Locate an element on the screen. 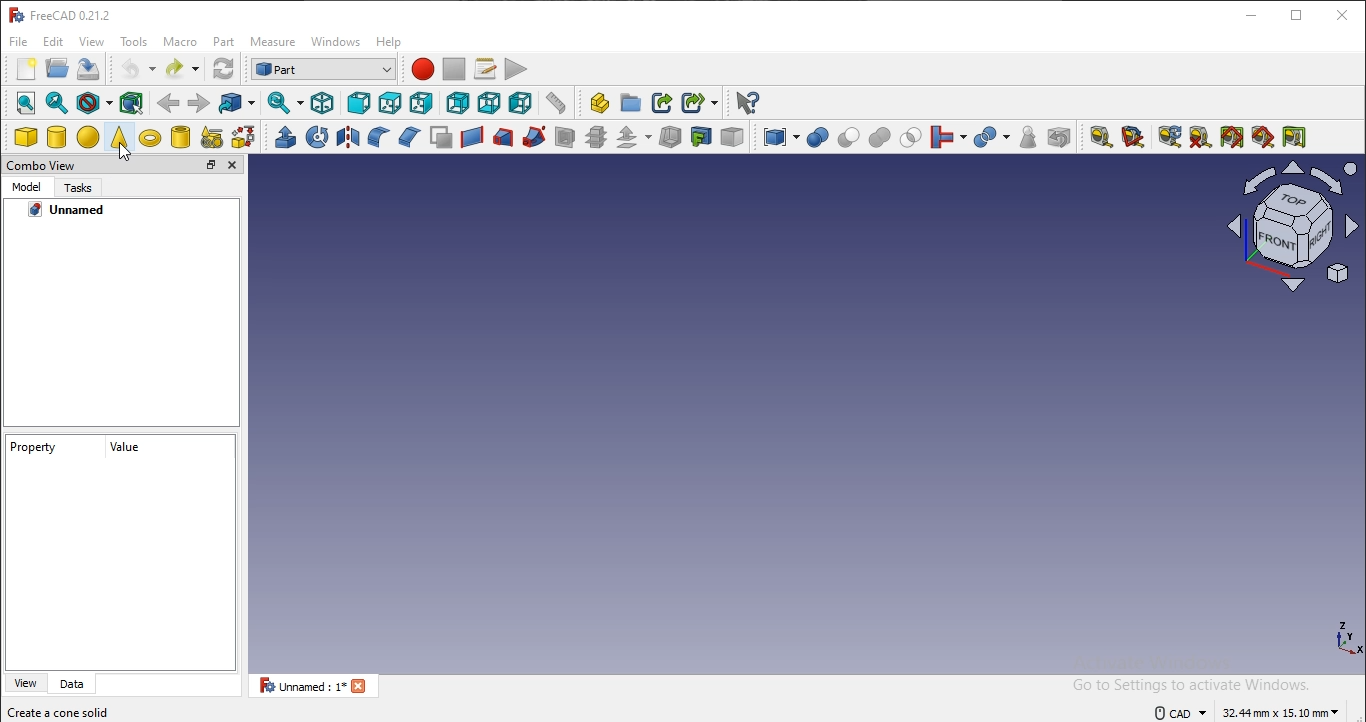 Image resolution: width=1366 pixels, height=722 pixels. part is located at coordinates (226, 42).